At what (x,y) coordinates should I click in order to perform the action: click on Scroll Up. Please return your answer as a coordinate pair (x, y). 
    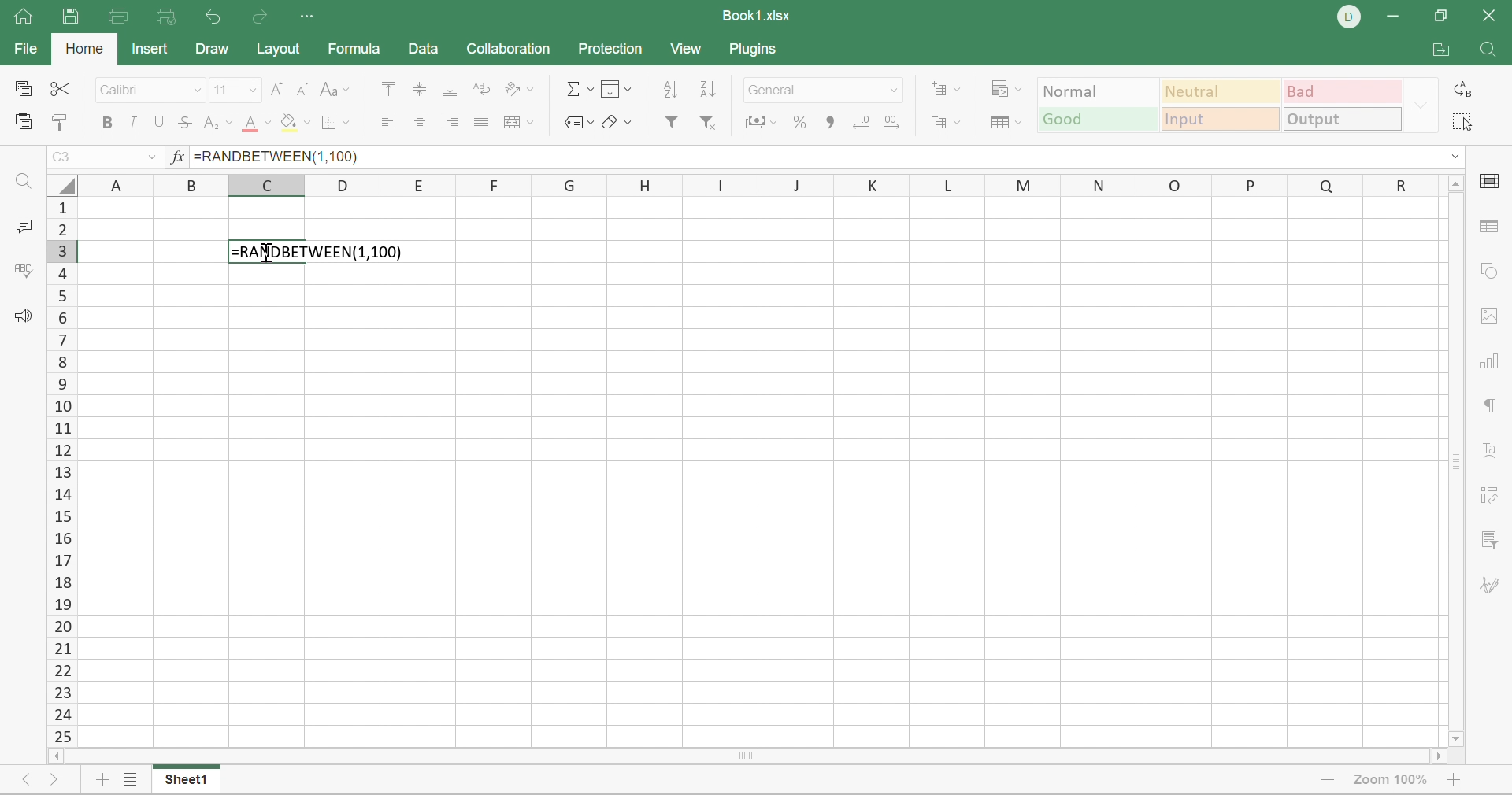
    Looking at the image, I should click on (1458, 187).